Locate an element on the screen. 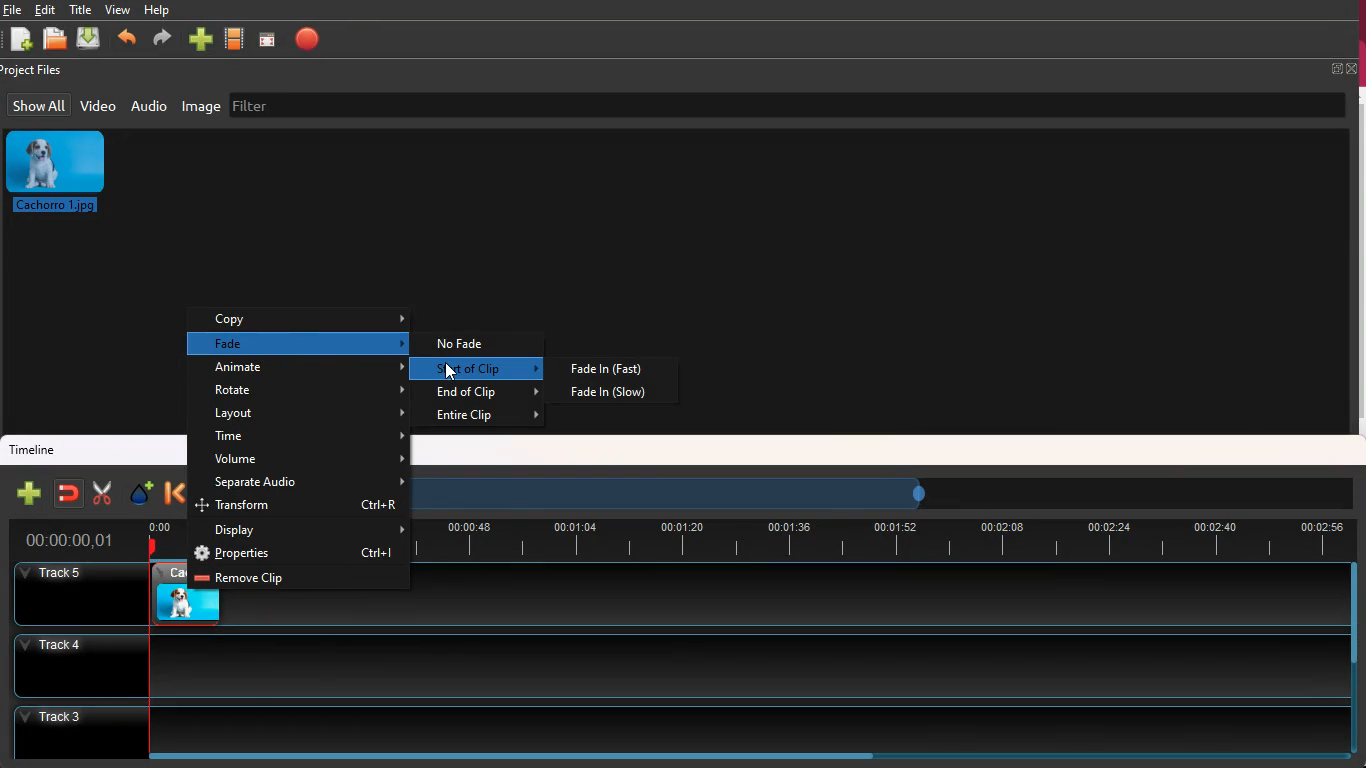 This screenshot has height=768, width=1366. image is located at coordinates (60, 174).